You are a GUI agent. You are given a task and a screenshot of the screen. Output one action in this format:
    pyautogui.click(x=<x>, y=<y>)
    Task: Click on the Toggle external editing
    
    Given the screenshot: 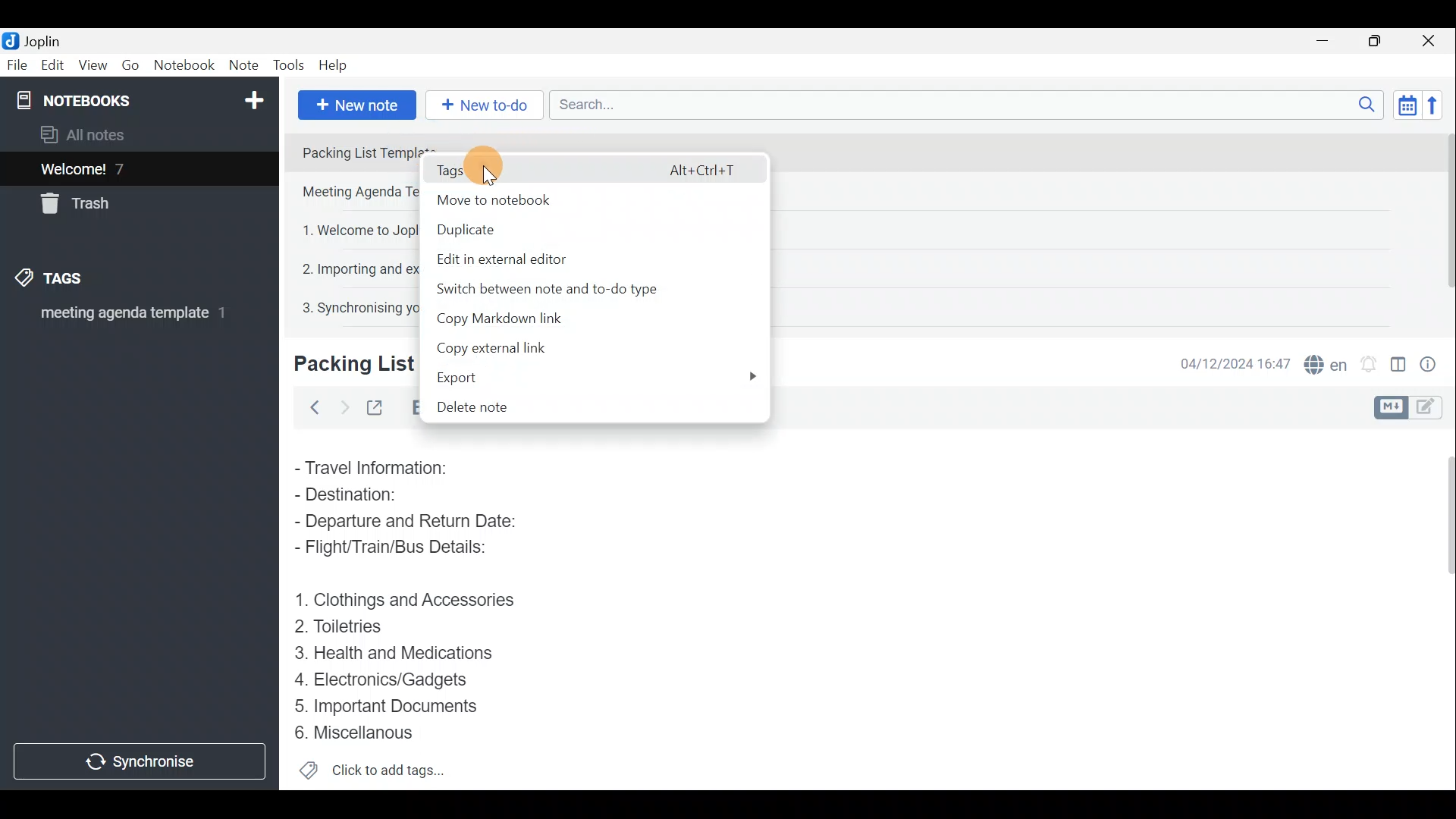 What is the action you would take?
    pyautogui.click(x=376, y=406)
    